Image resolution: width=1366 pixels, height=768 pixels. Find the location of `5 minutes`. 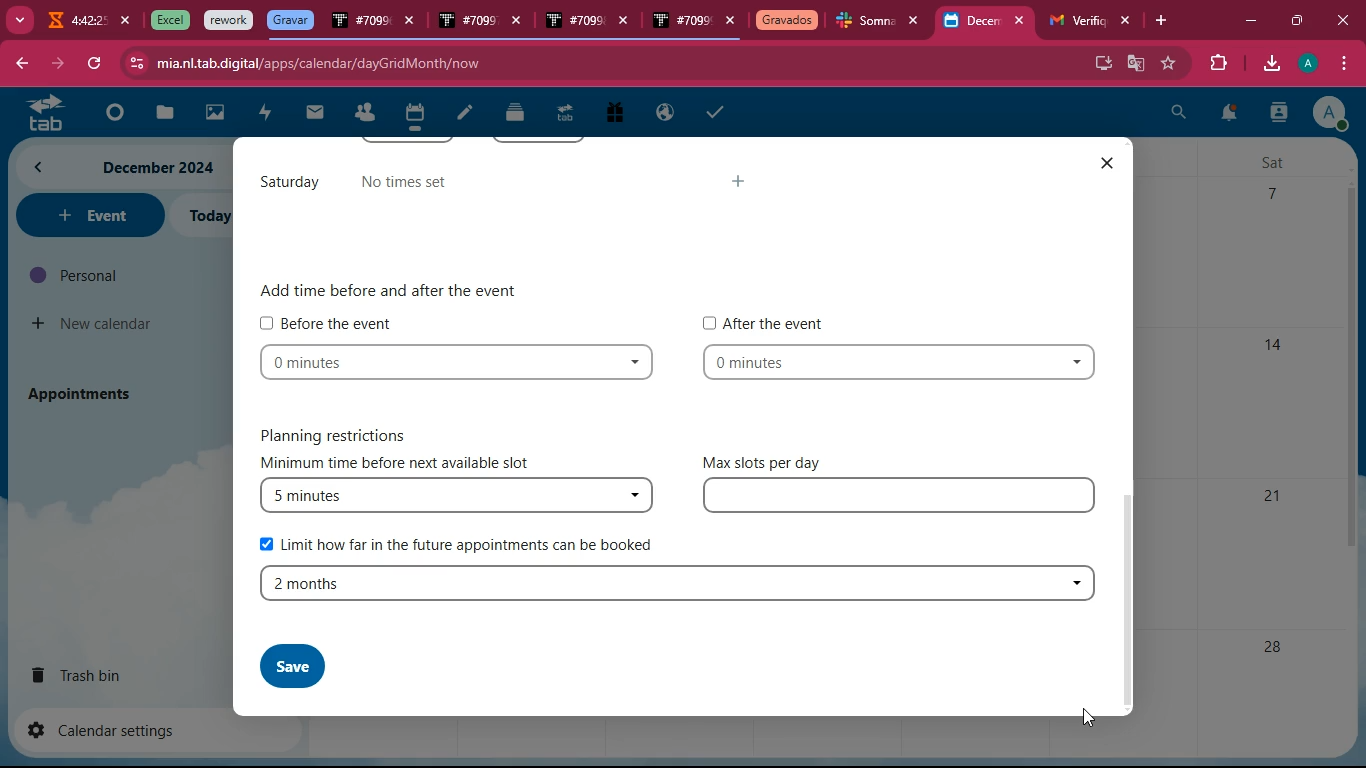

5 minutes is located at coordinates (452, 496).